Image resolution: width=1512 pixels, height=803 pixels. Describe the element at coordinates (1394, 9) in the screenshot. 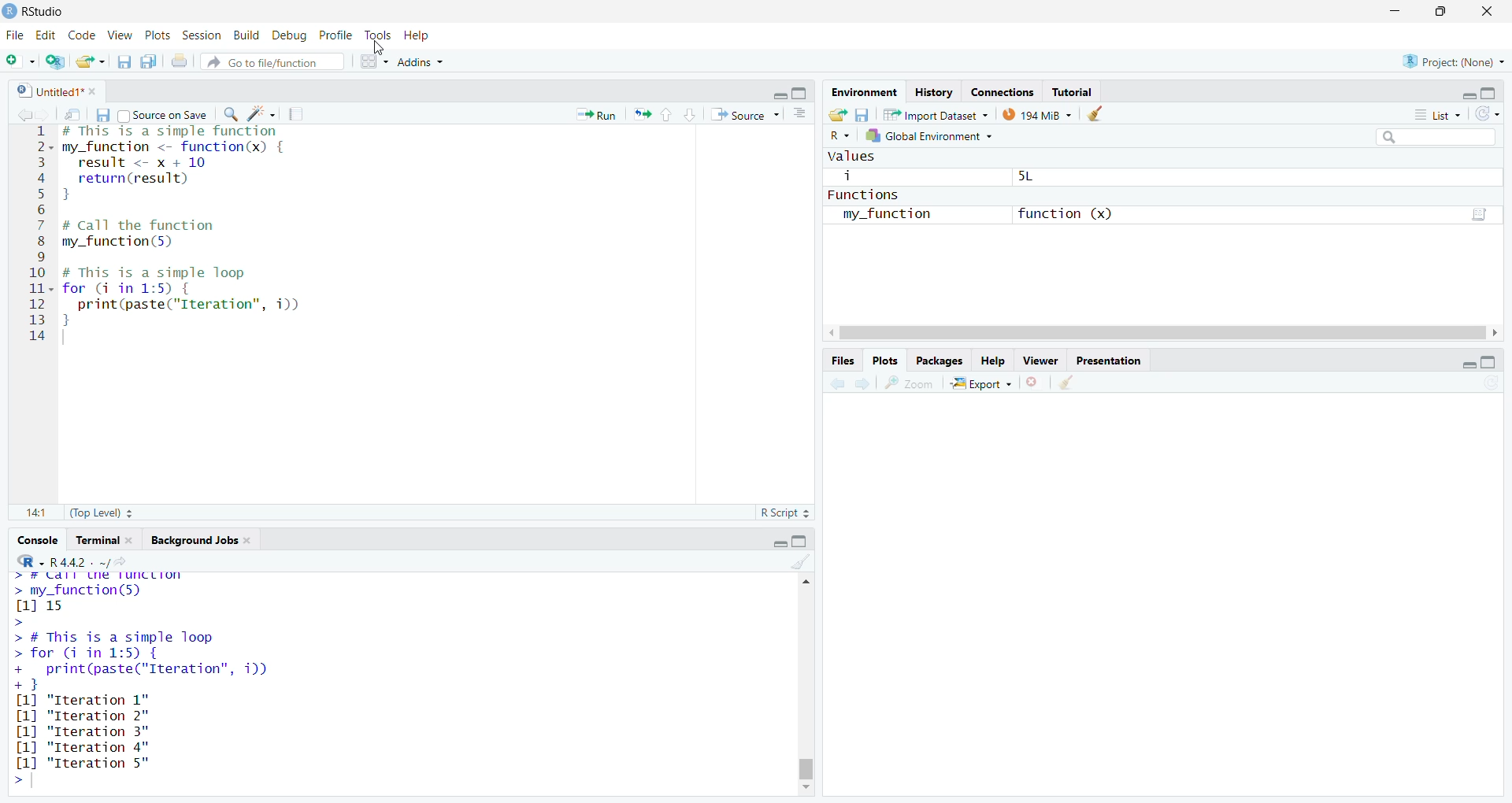

I see `minimize` at that location.